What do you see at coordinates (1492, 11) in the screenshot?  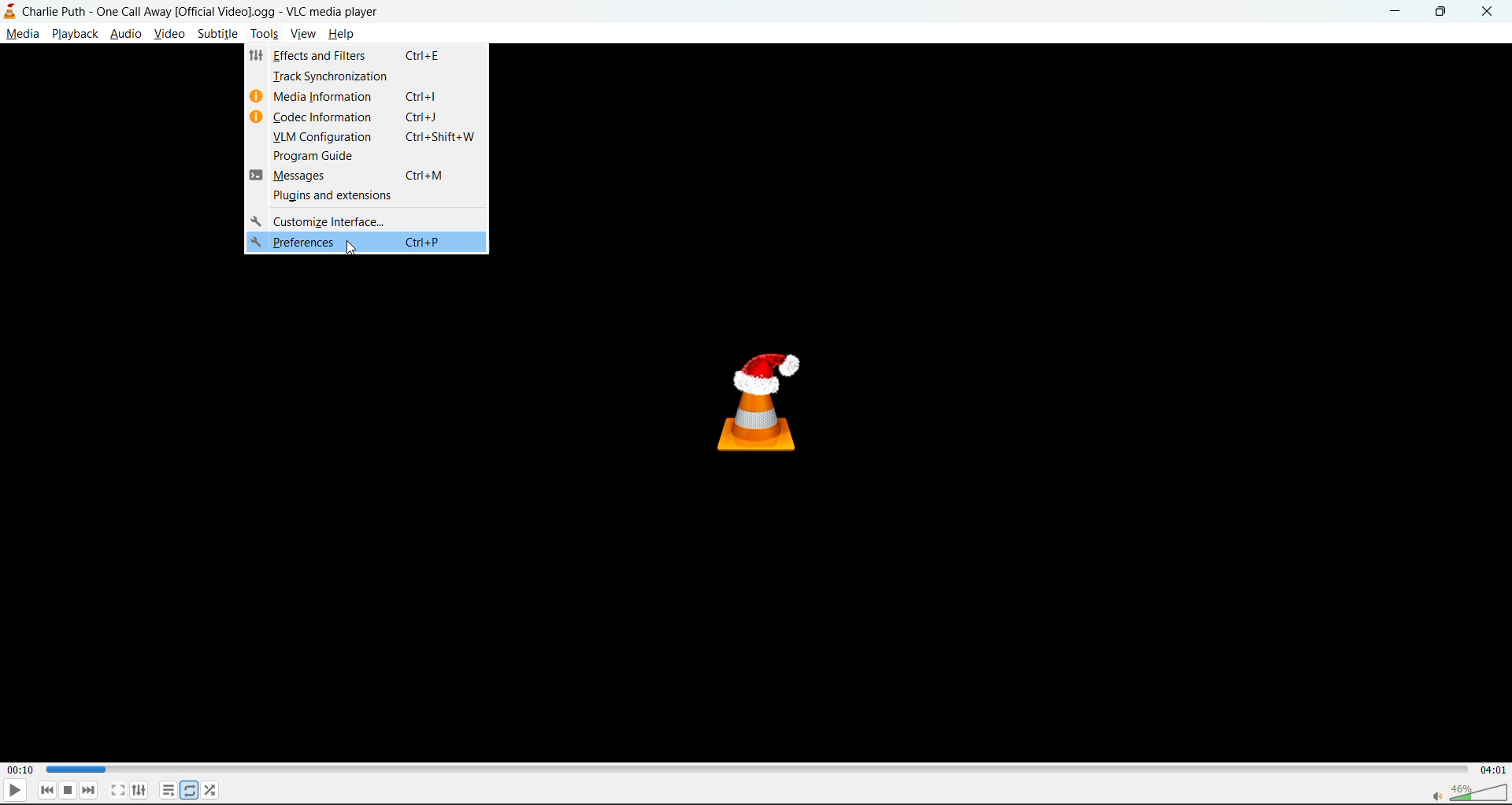 I see `close` at bounding box center [1492, 11].